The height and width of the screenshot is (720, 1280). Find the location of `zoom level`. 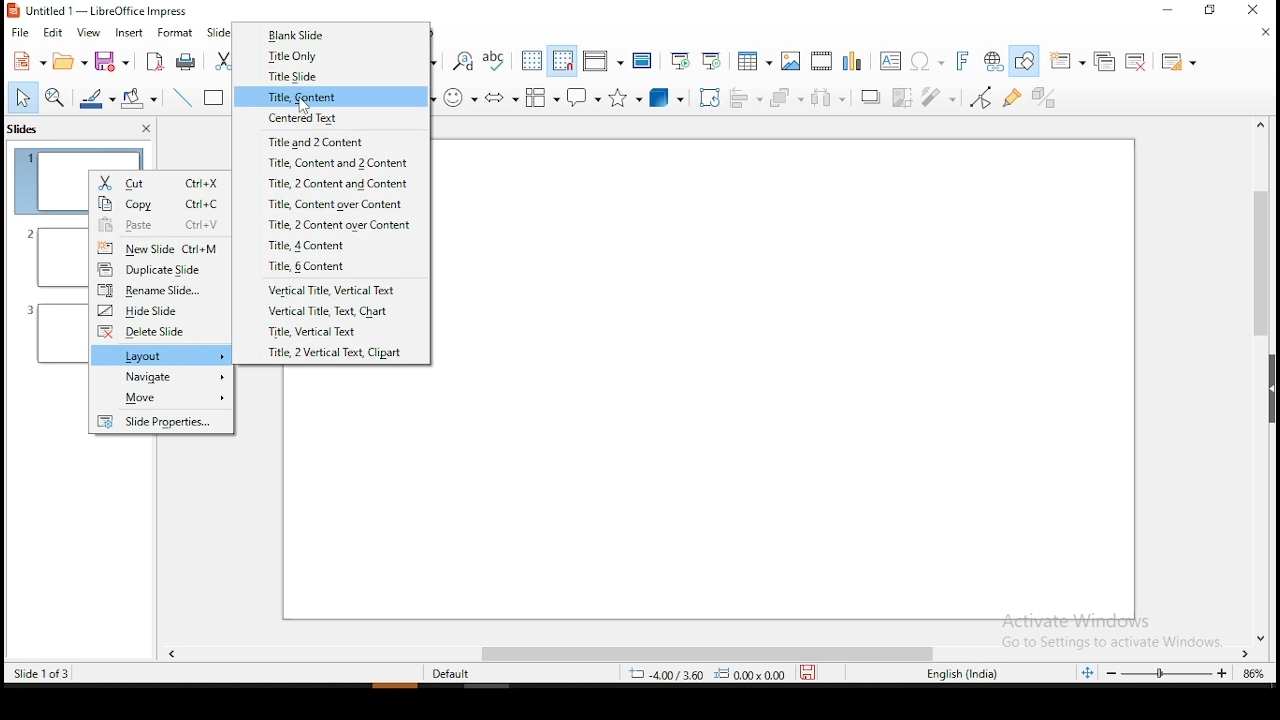

zoom level is located at coordinates (1252, 673).